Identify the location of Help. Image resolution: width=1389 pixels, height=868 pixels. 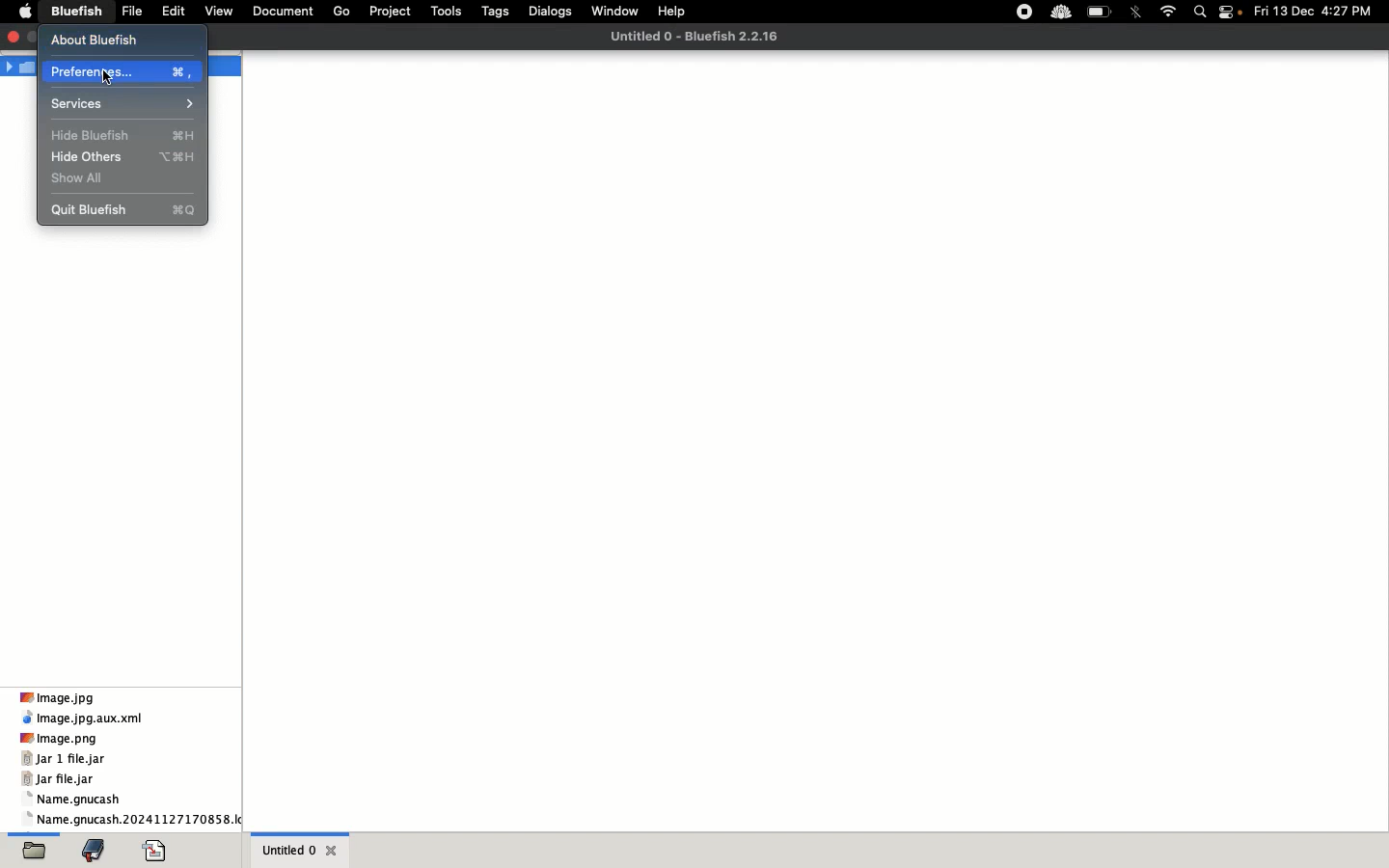
(670, 13).